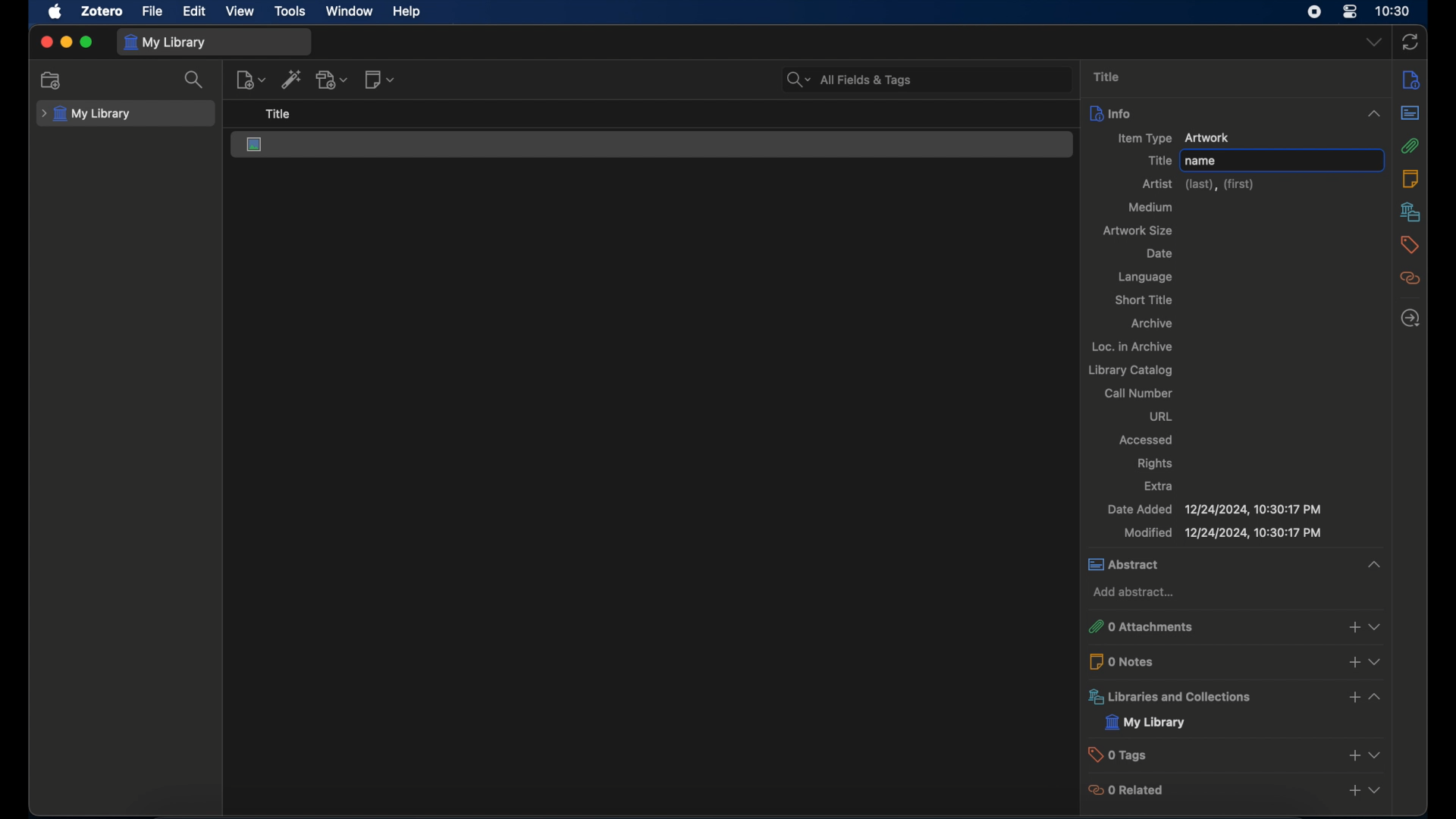  I want to click on file, so click(152, 11).